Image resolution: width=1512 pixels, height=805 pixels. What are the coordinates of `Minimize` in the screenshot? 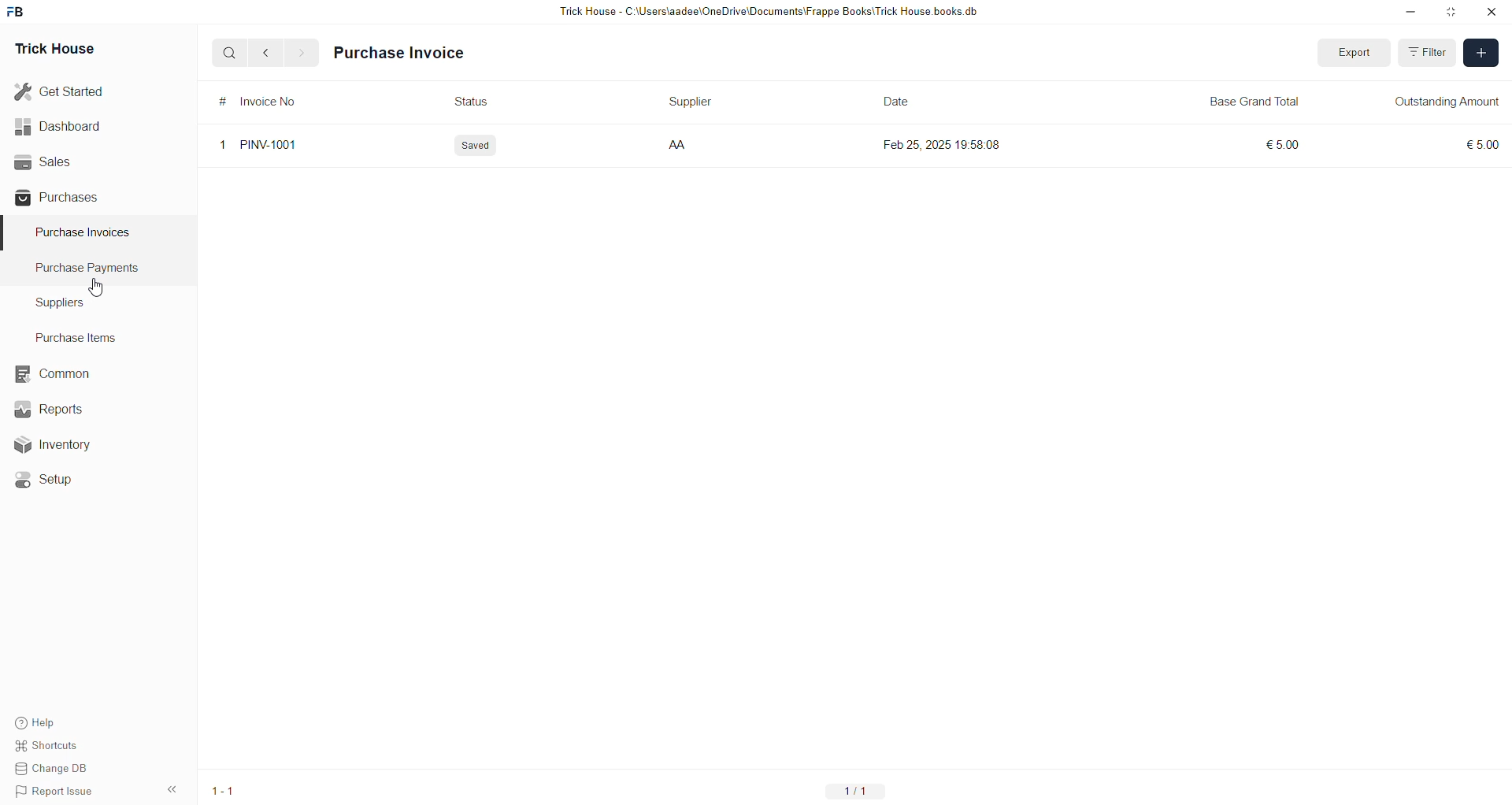 It's located at (1410, 13).